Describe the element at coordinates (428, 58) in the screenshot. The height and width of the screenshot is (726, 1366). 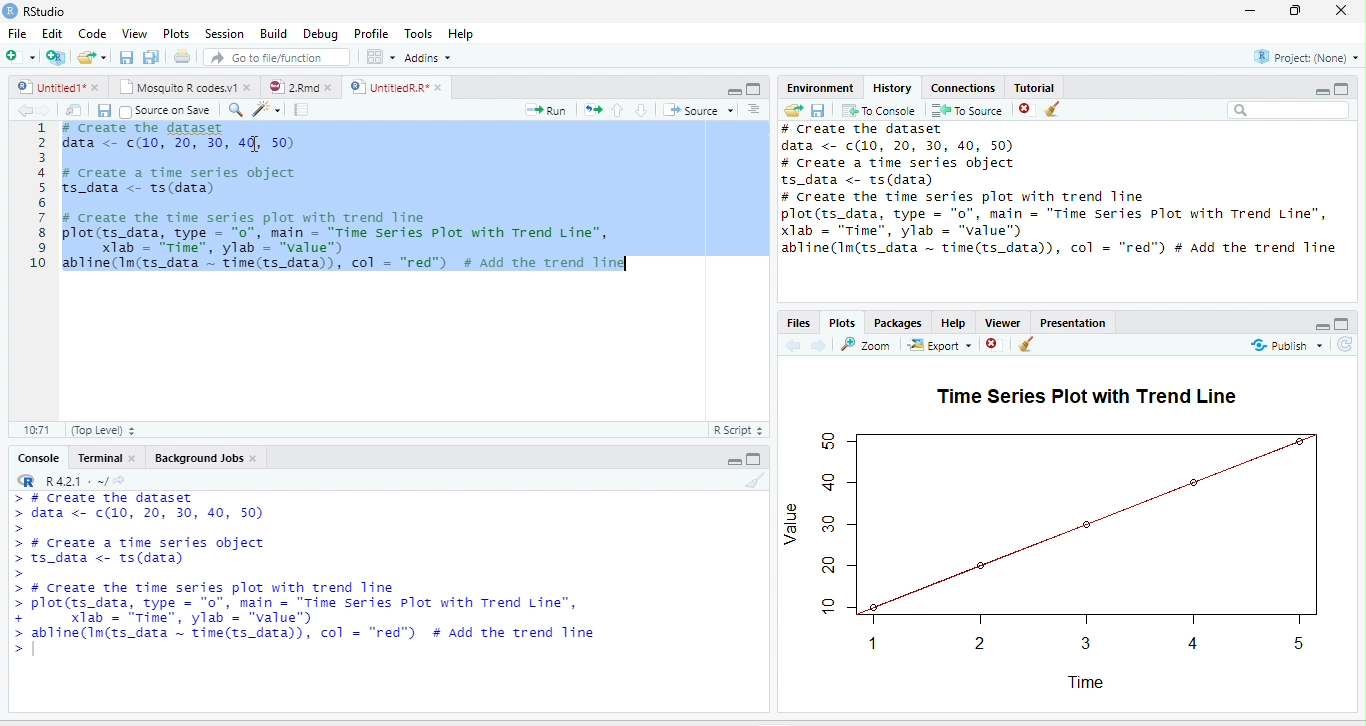
I see `Addins` at that location.